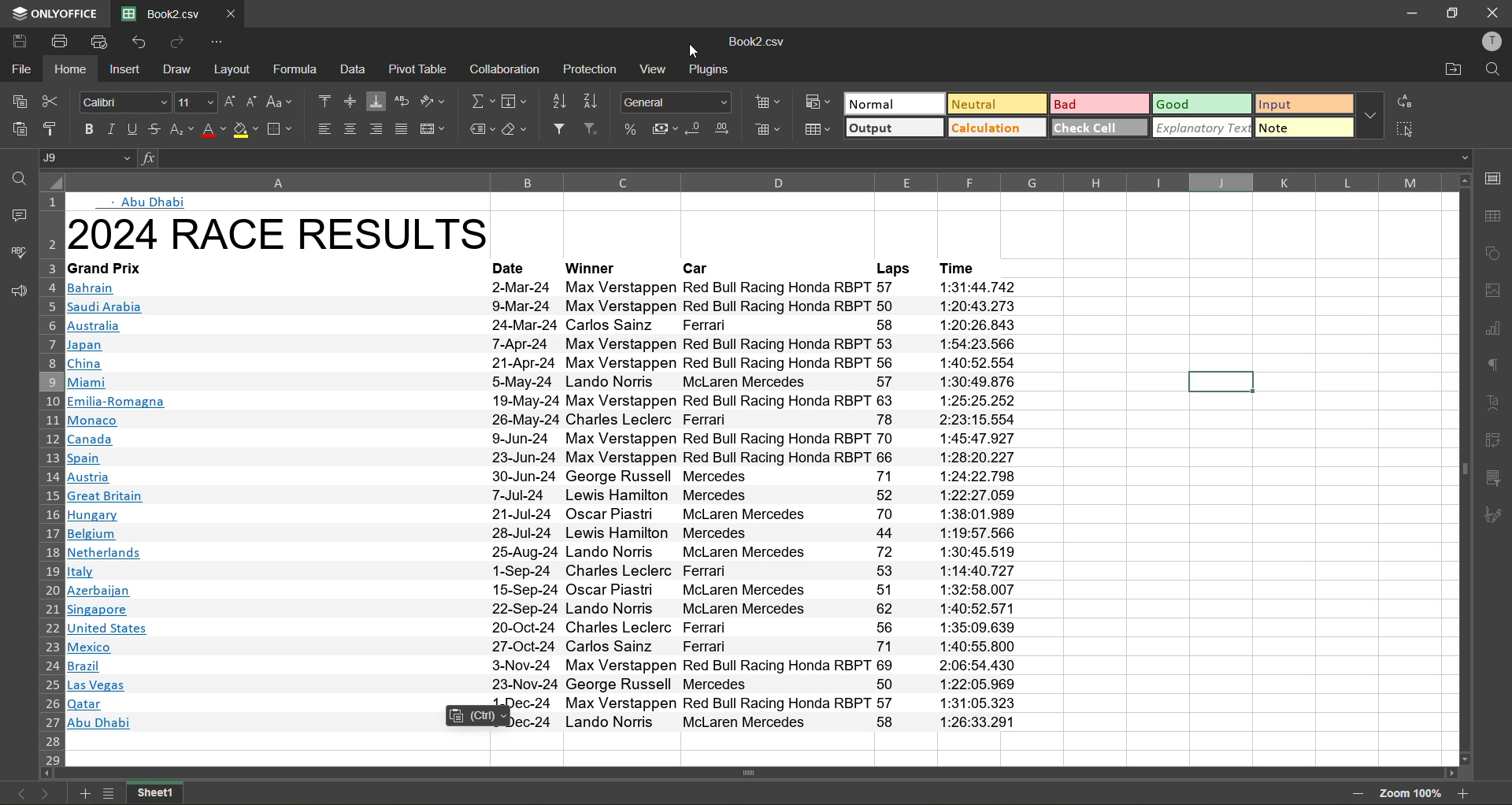 Image resolution: width=1512 pixels, height=805 pixels. I want to click on italic, so click(109, 127).